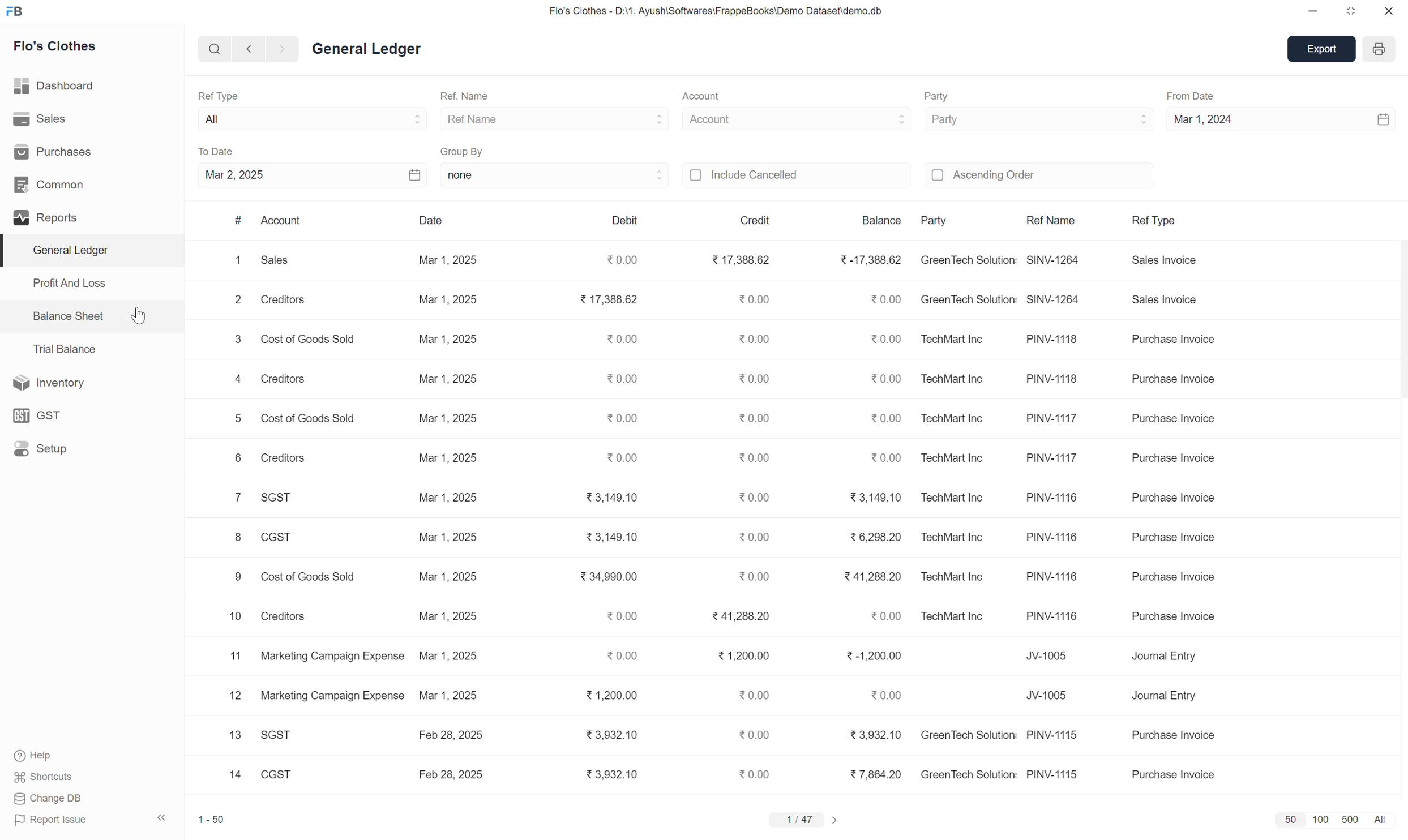 This screenshot has width=1408, height=840. What do you see at coordinates (952, 338) in the screenshot?
I see `TechMart Inc` at bounding box center [952, 338].